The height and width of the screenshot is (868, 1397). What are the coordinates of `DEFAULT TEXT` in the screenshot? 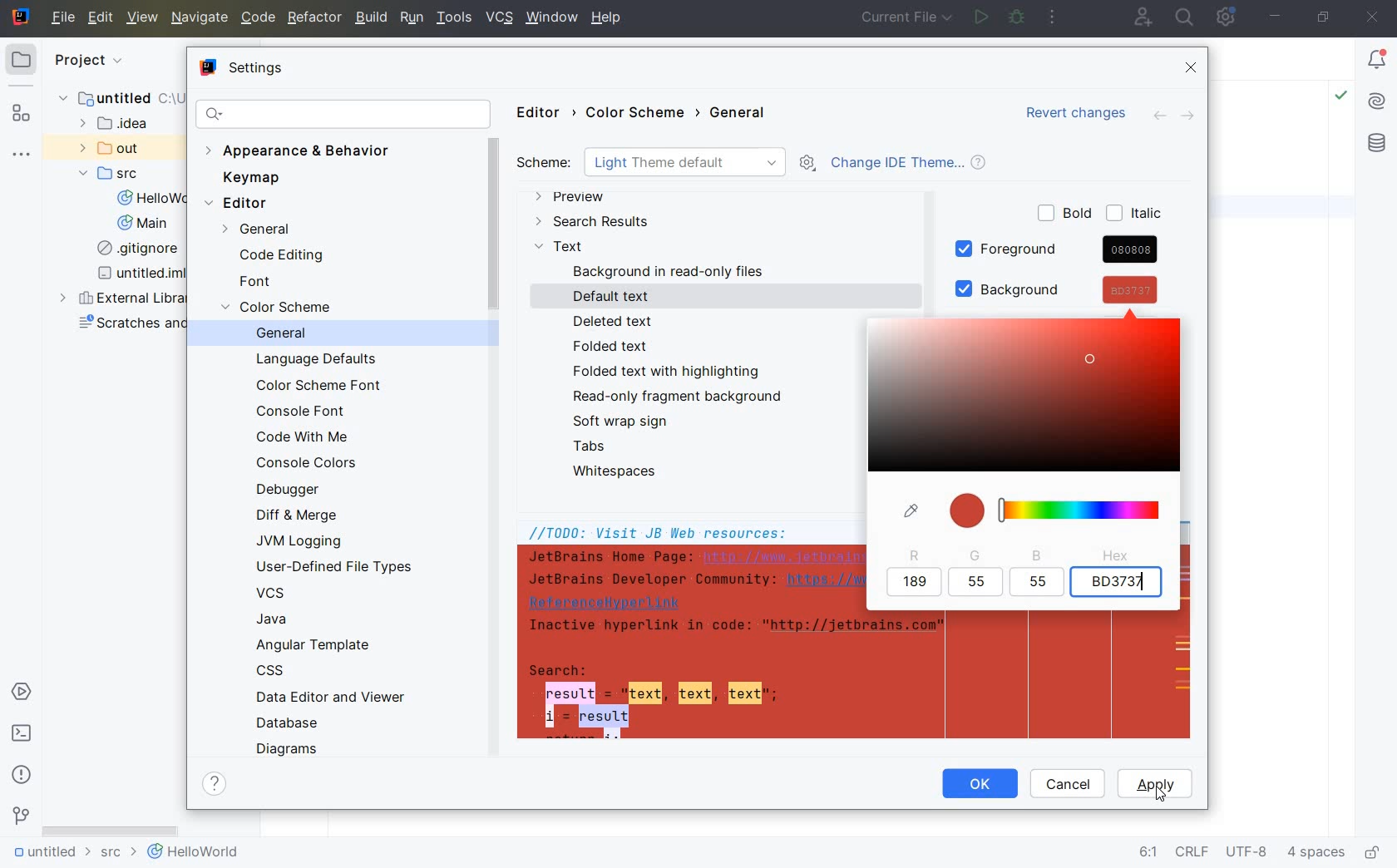 It's located at (615, 297).